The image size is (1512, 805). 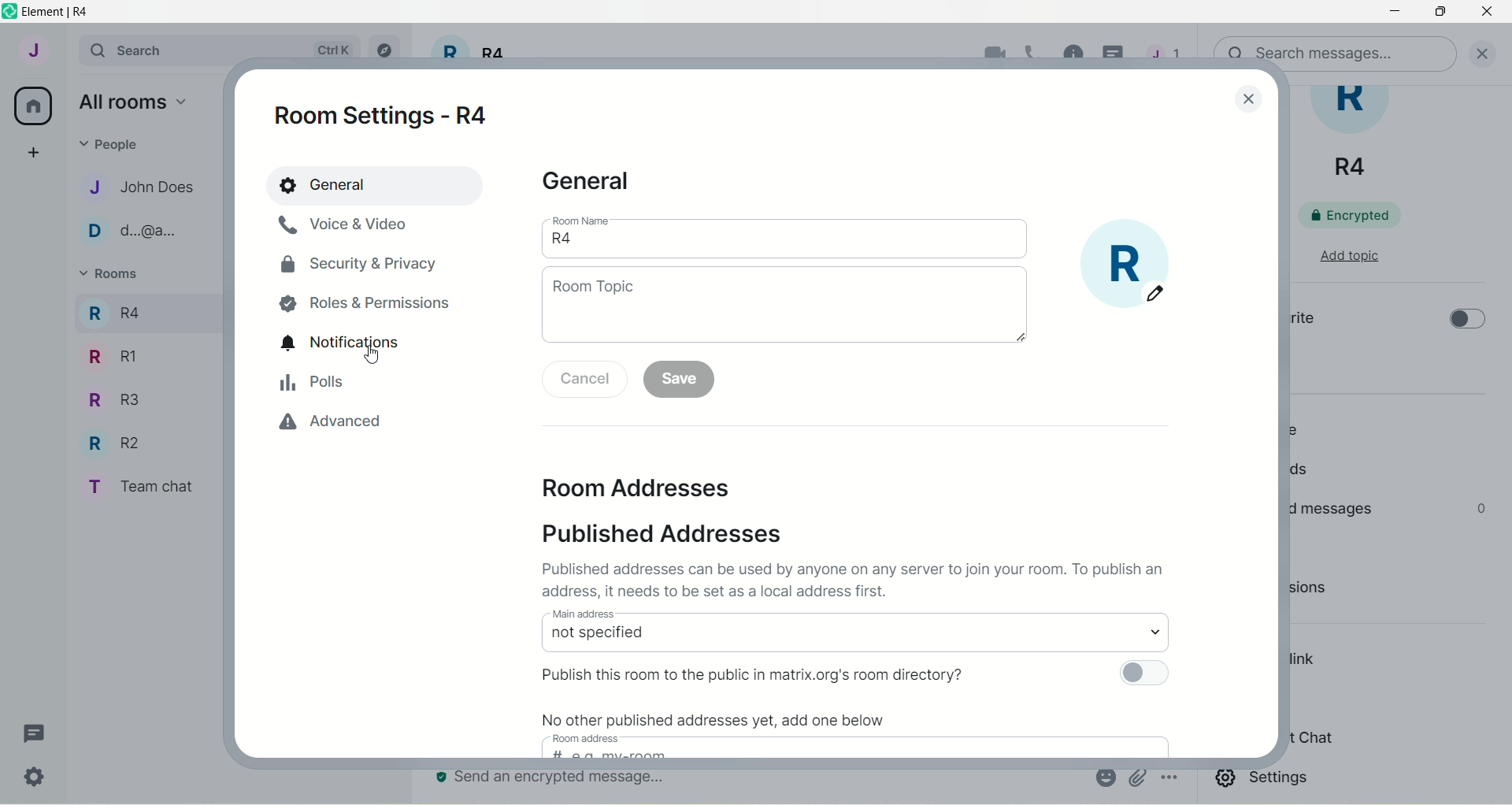 What do you see at coordinates (1073, 50) in the screenshot?
I see `room info` at bounding box center [1073, 50].